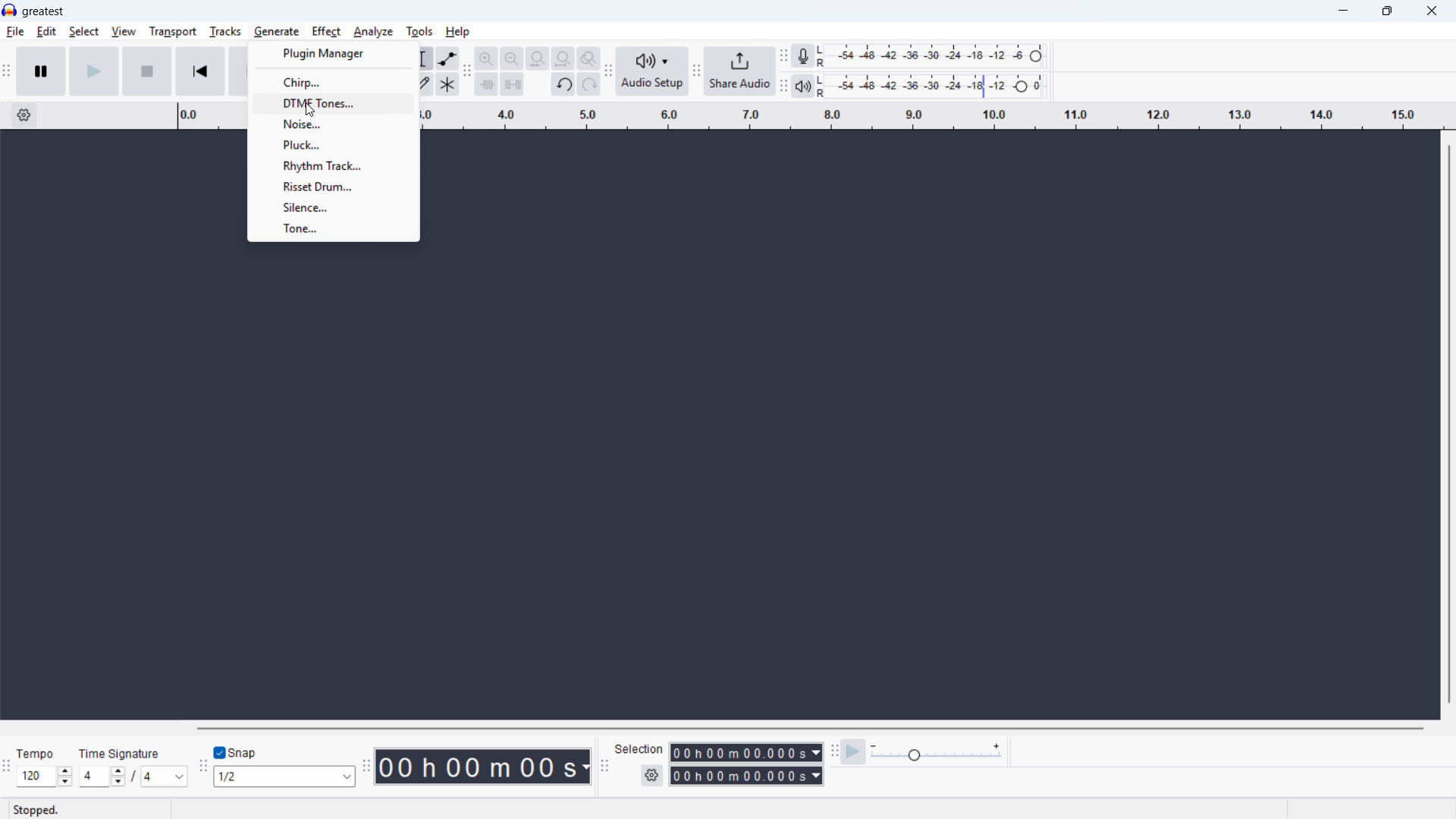  I want to click on Select snapping , so click(286, 776).